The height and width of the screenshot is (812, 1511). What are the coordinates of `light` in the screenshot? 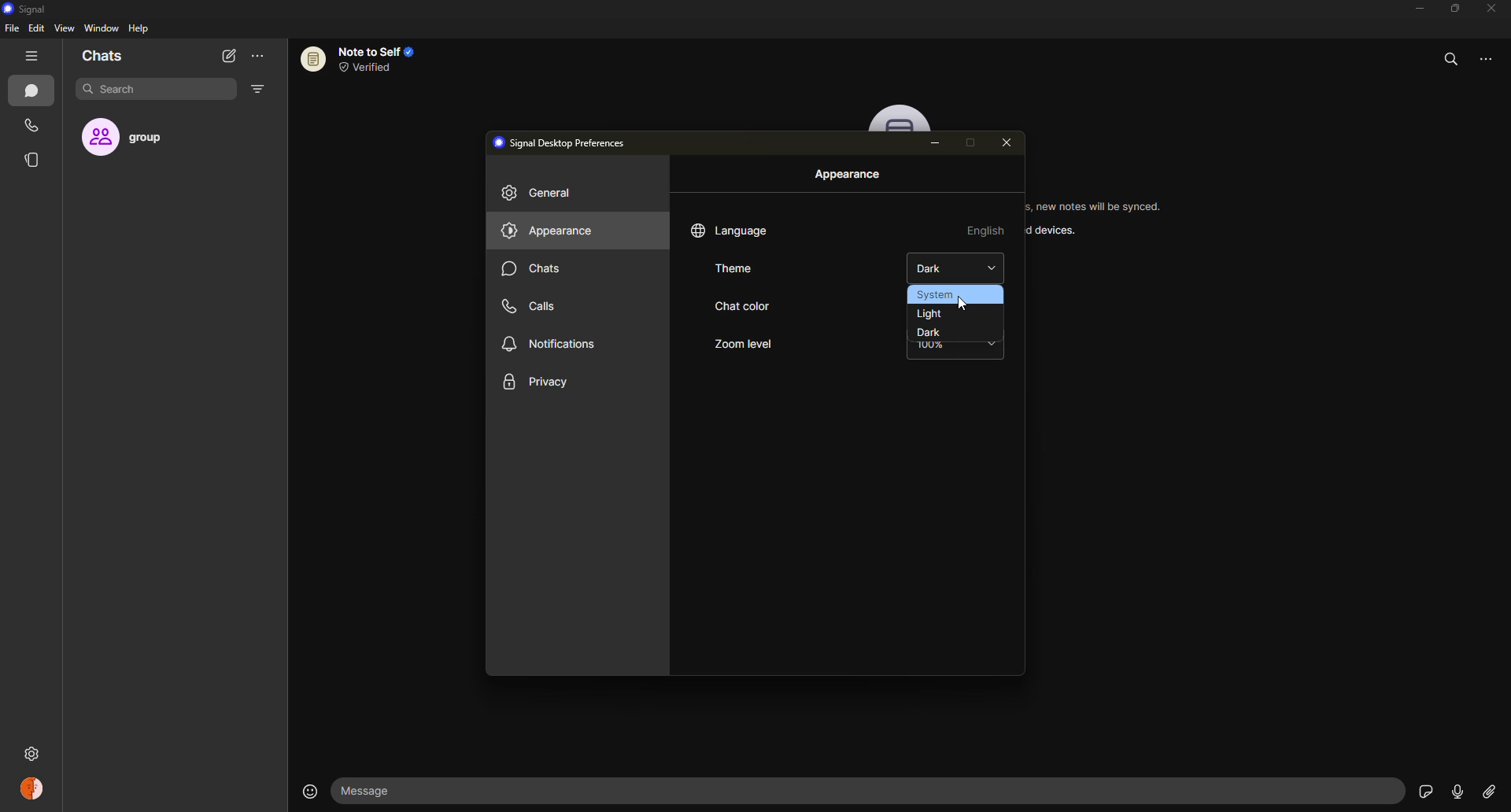 It's located at (931, 315).